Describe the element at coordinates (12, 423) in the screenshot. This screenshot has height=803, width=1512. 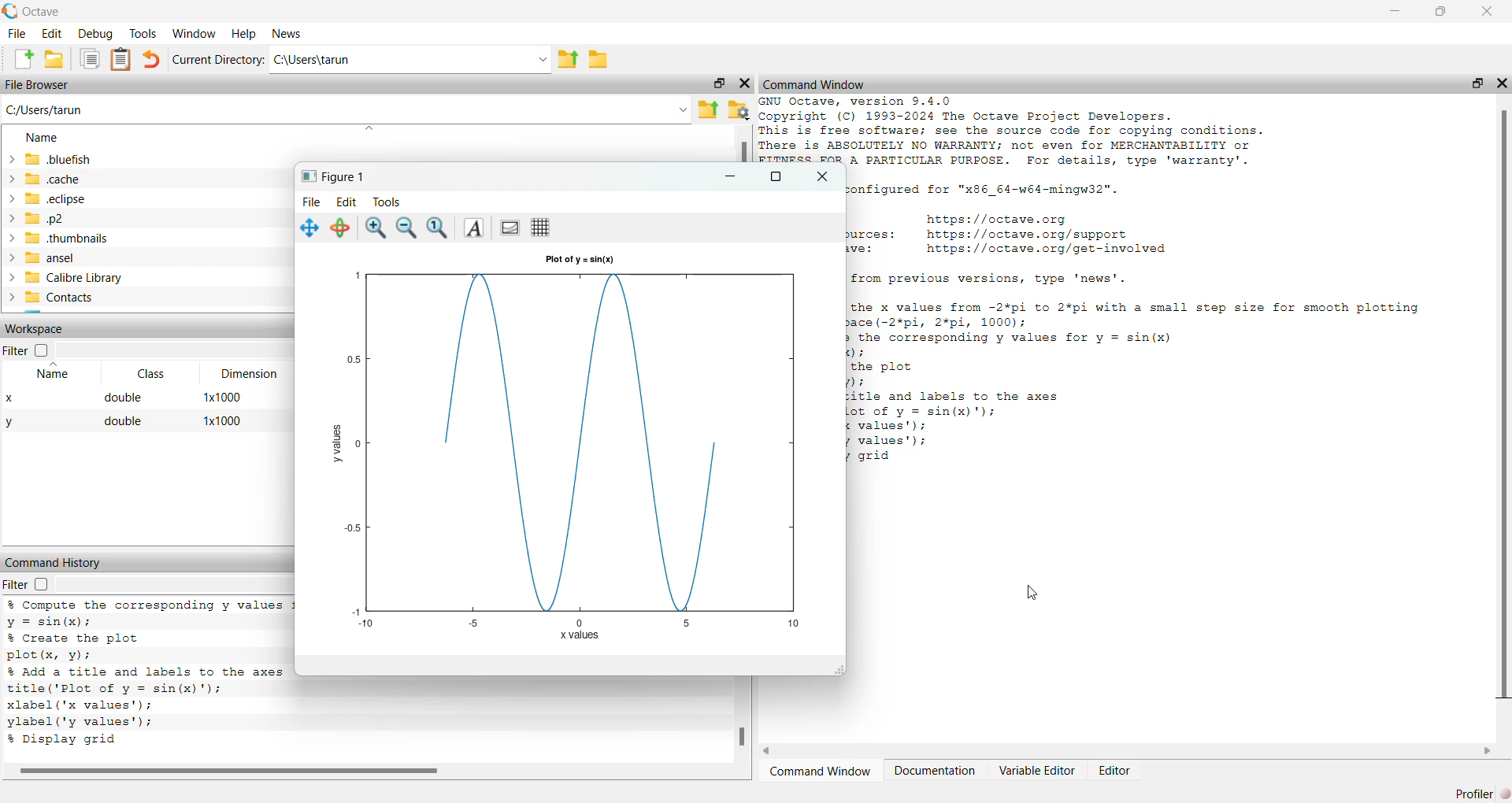
I see `y` at that location.